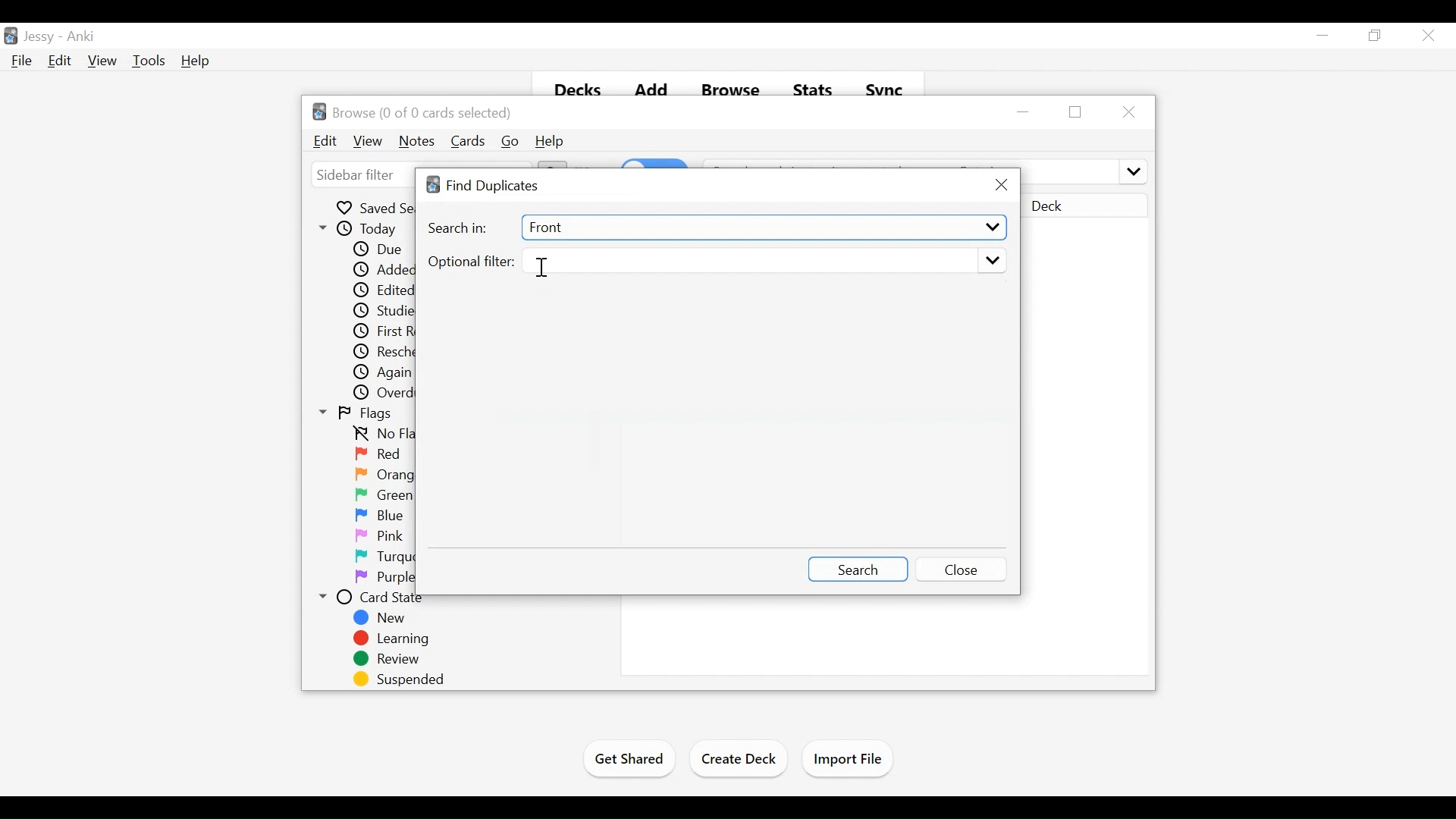 Image resolution: width=1456 pixels, height=819 pixels. I want to click on Restore, so click(1375, 35).